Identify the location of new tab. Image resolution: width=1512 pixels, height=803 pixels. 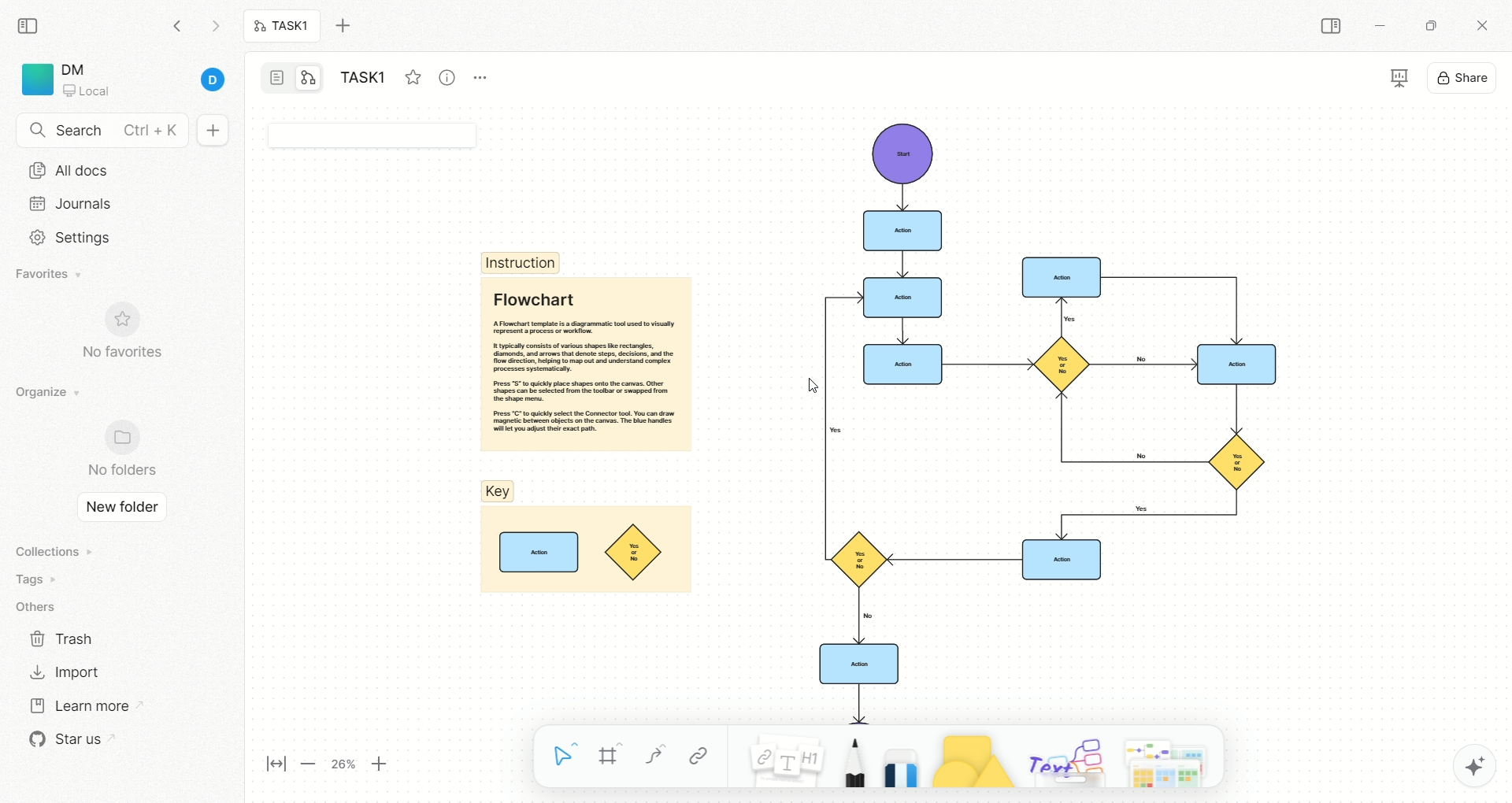
(352, 26).